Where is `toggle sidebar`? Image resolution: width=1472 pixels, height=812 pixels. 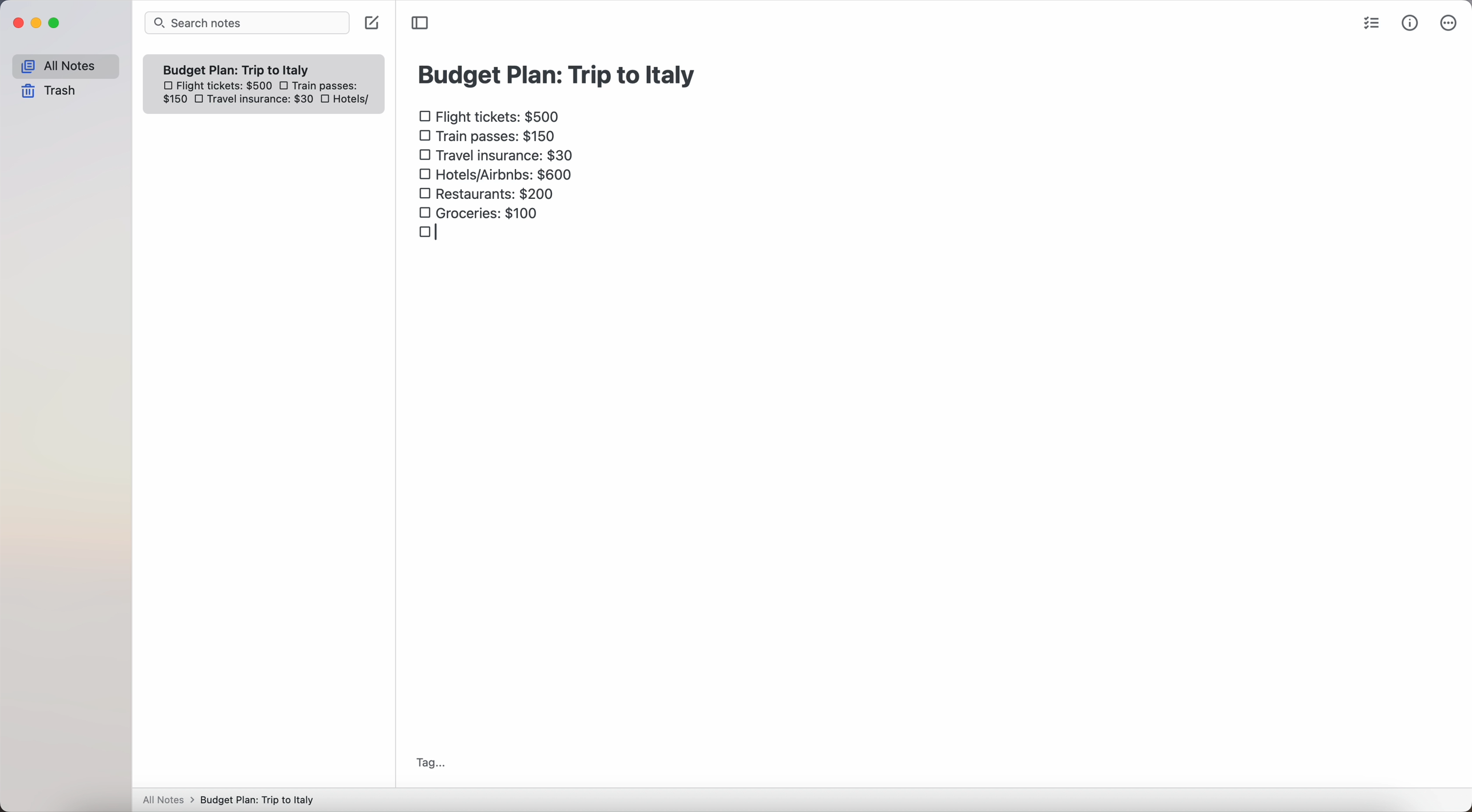 toggle sidebar is located at coordinates (421, 22).